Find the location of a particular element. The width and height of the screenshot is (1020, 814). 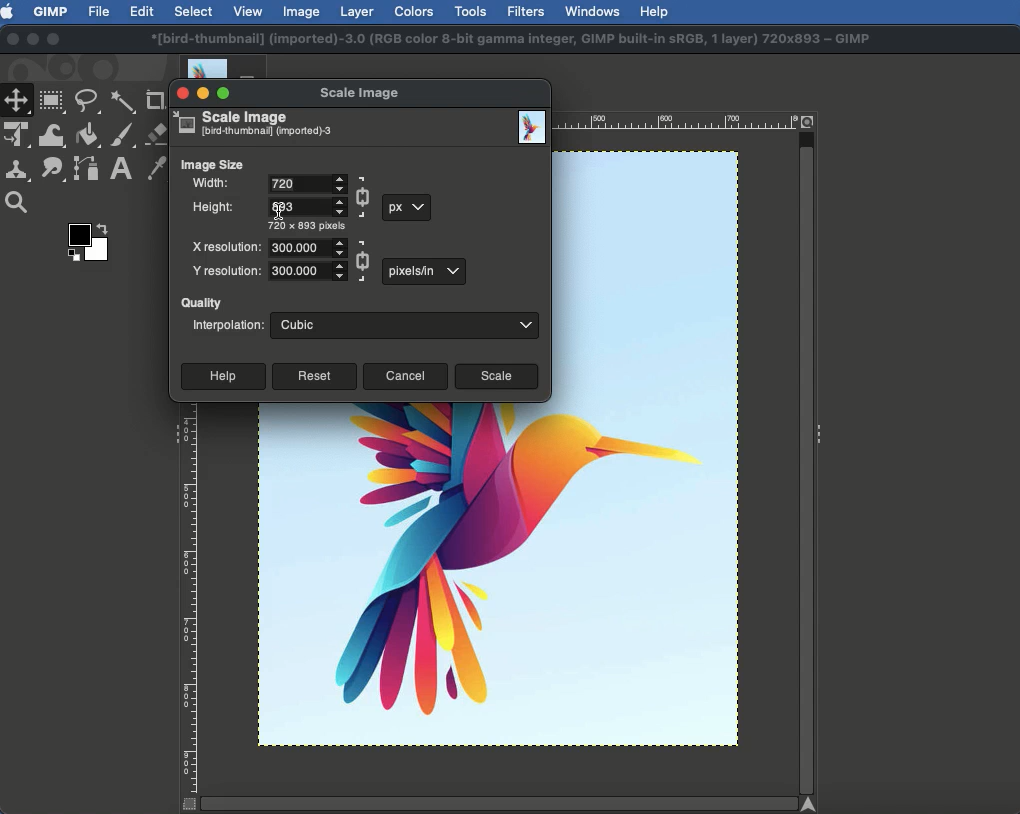

Linked is located at coordinates (364, 260).